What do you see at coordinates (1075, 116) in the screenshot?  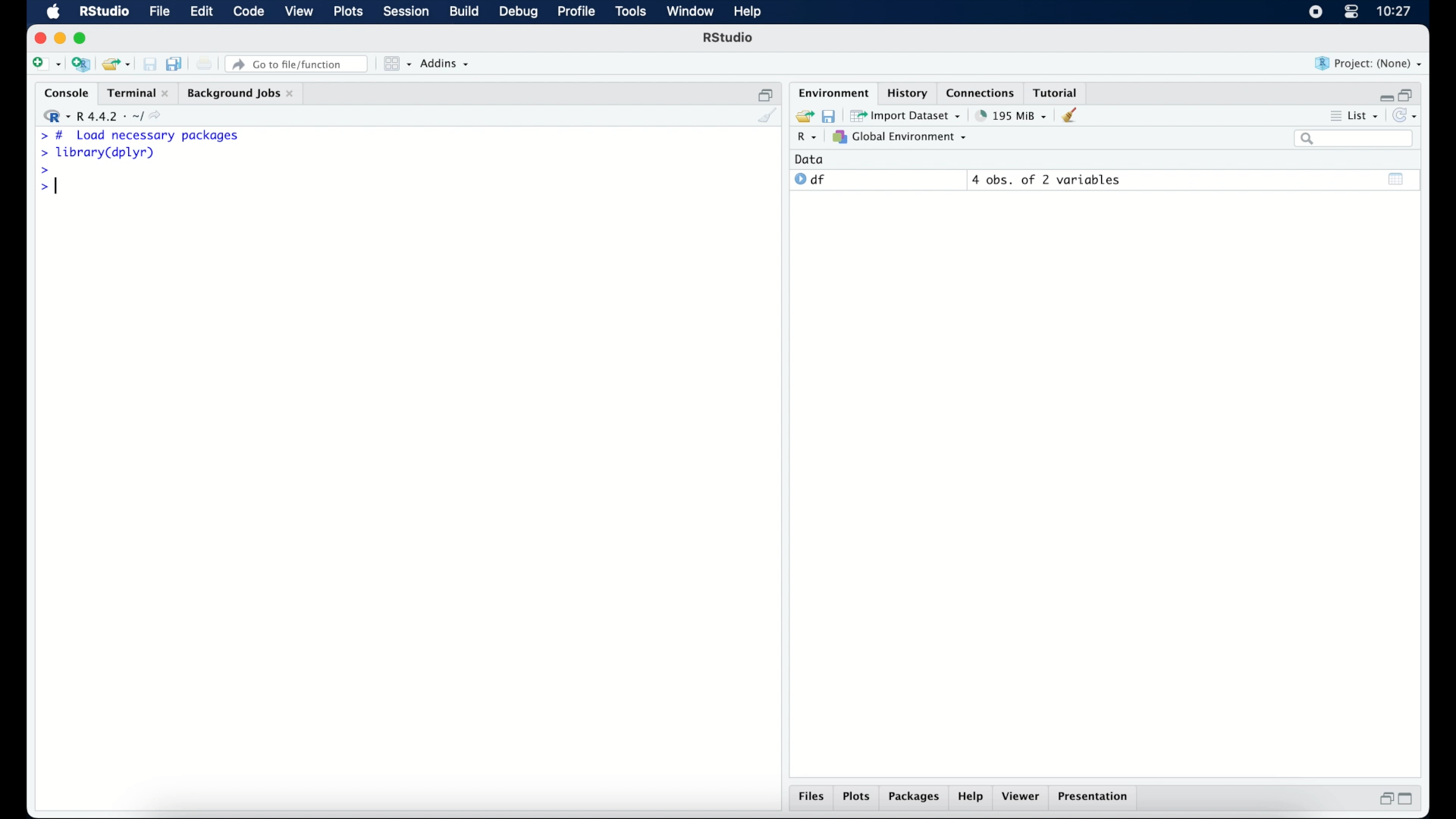 I see `clear workspace` at bounding box center [1075, 116].